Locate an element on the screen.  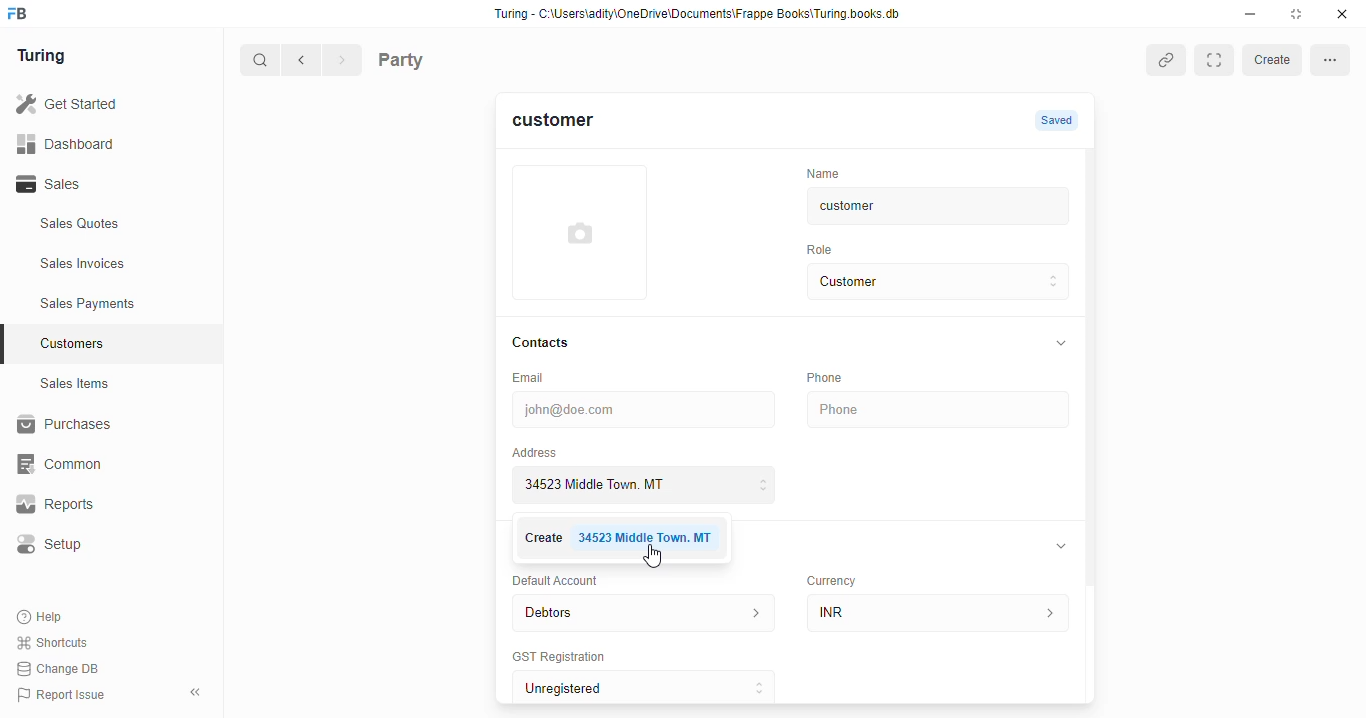
close is located at coordinates (1345, 14).